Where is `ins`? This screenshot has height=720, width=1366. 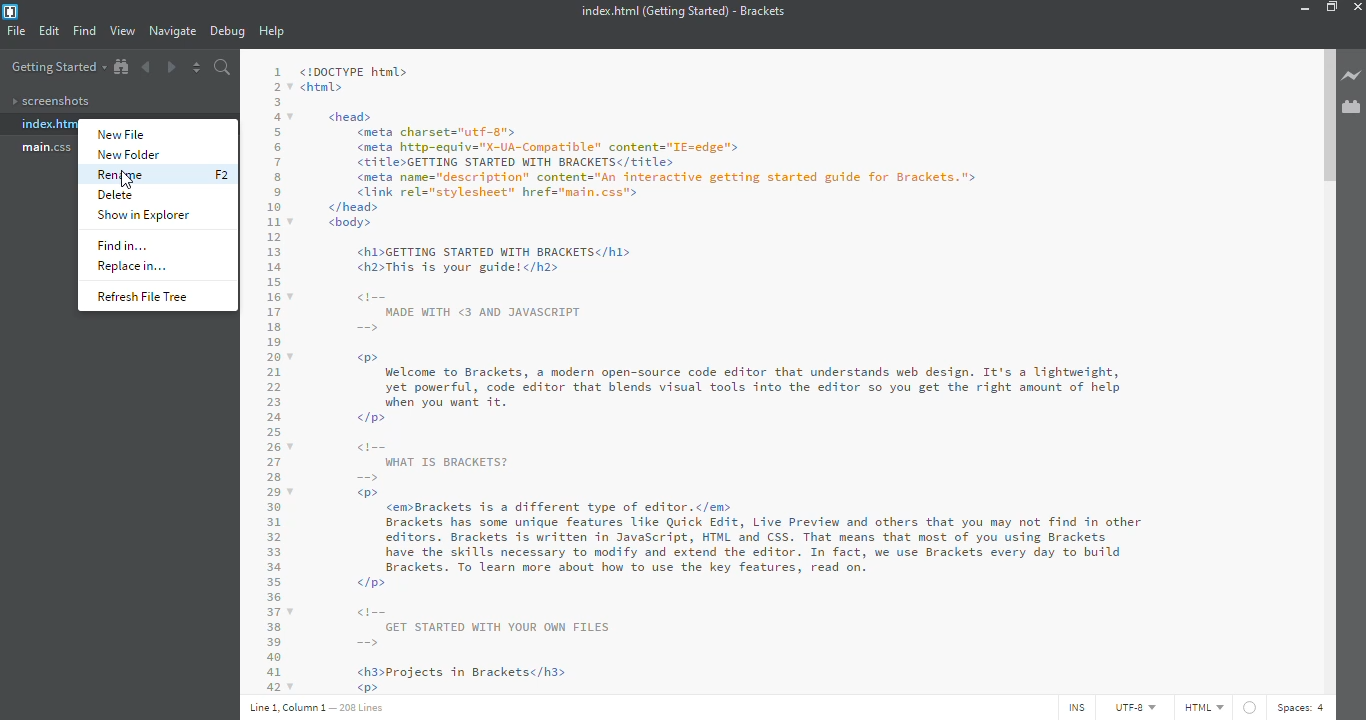 ins is located at coordinates (1073, 708).